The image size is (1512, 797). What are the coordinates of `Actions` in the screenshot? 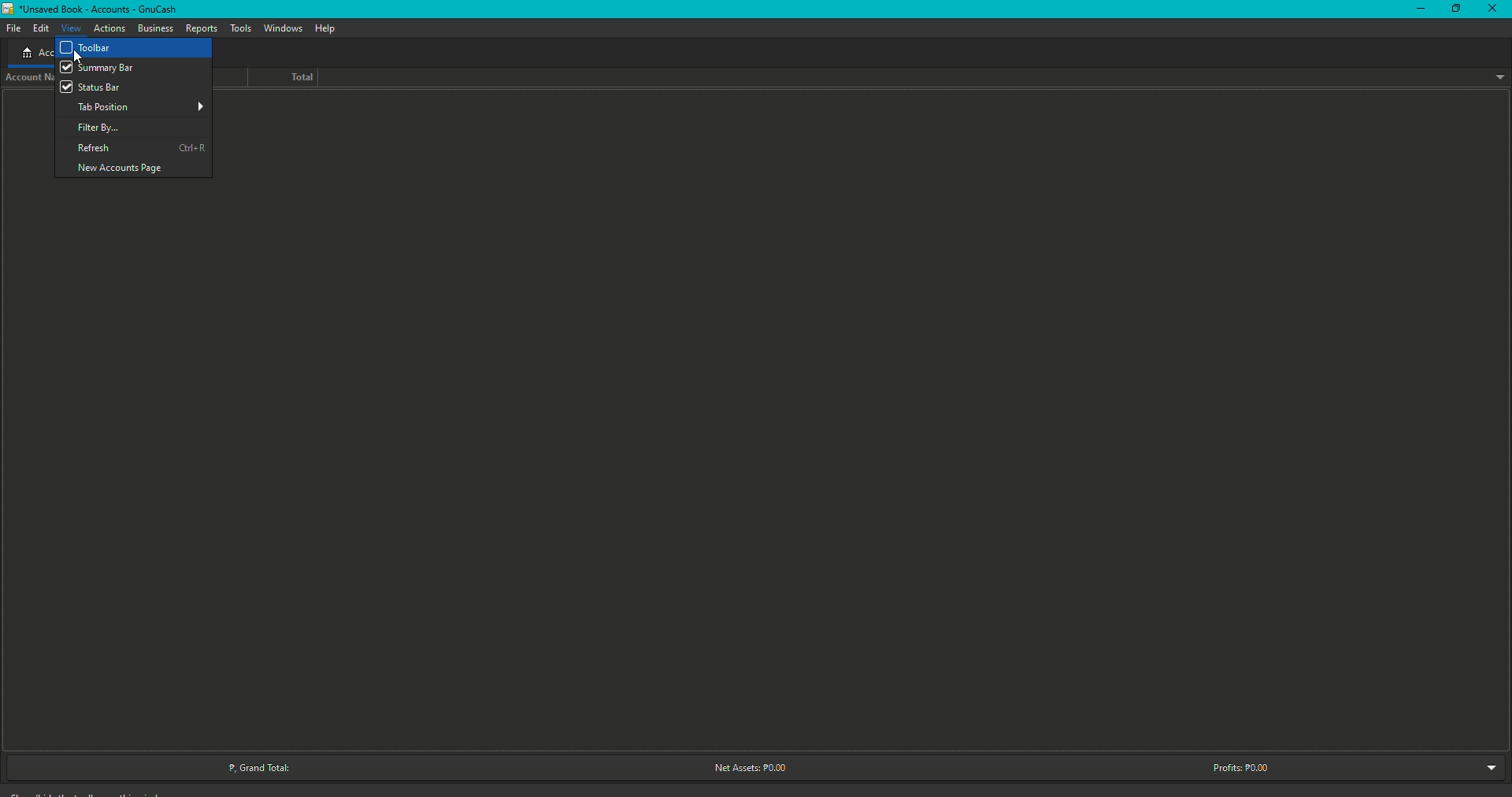 It's located at (108, 28).